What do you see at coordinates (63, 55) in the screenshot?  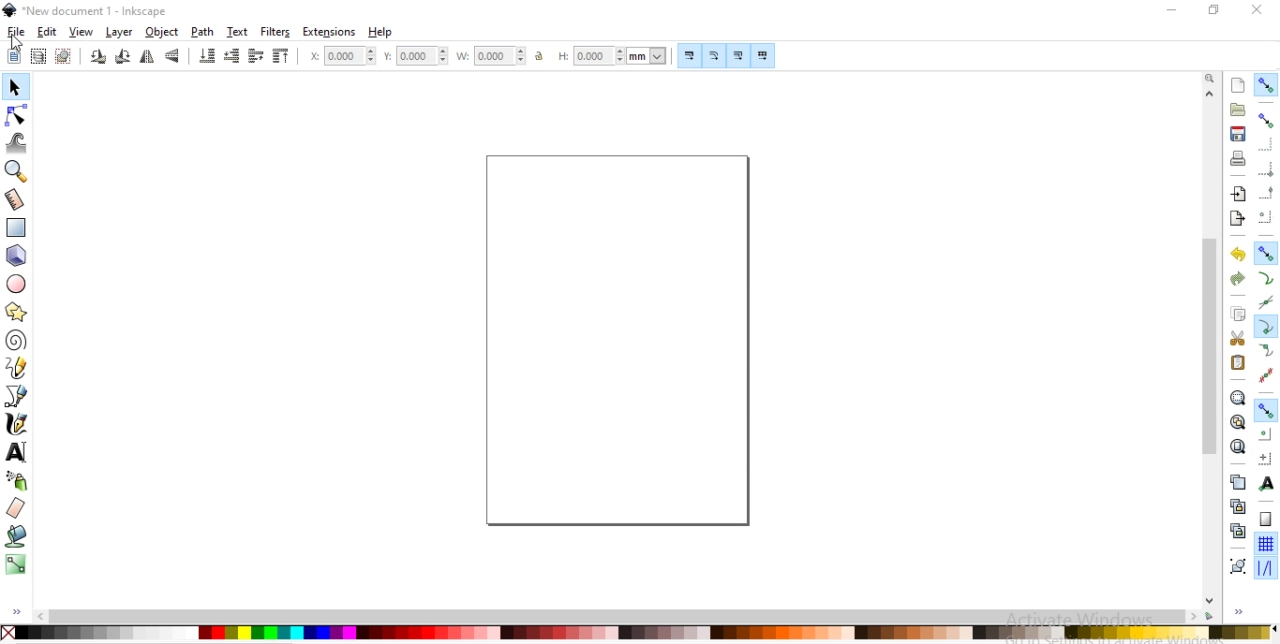 I see `deselct any selected objects or nodes` at bounding box center [63, 55].